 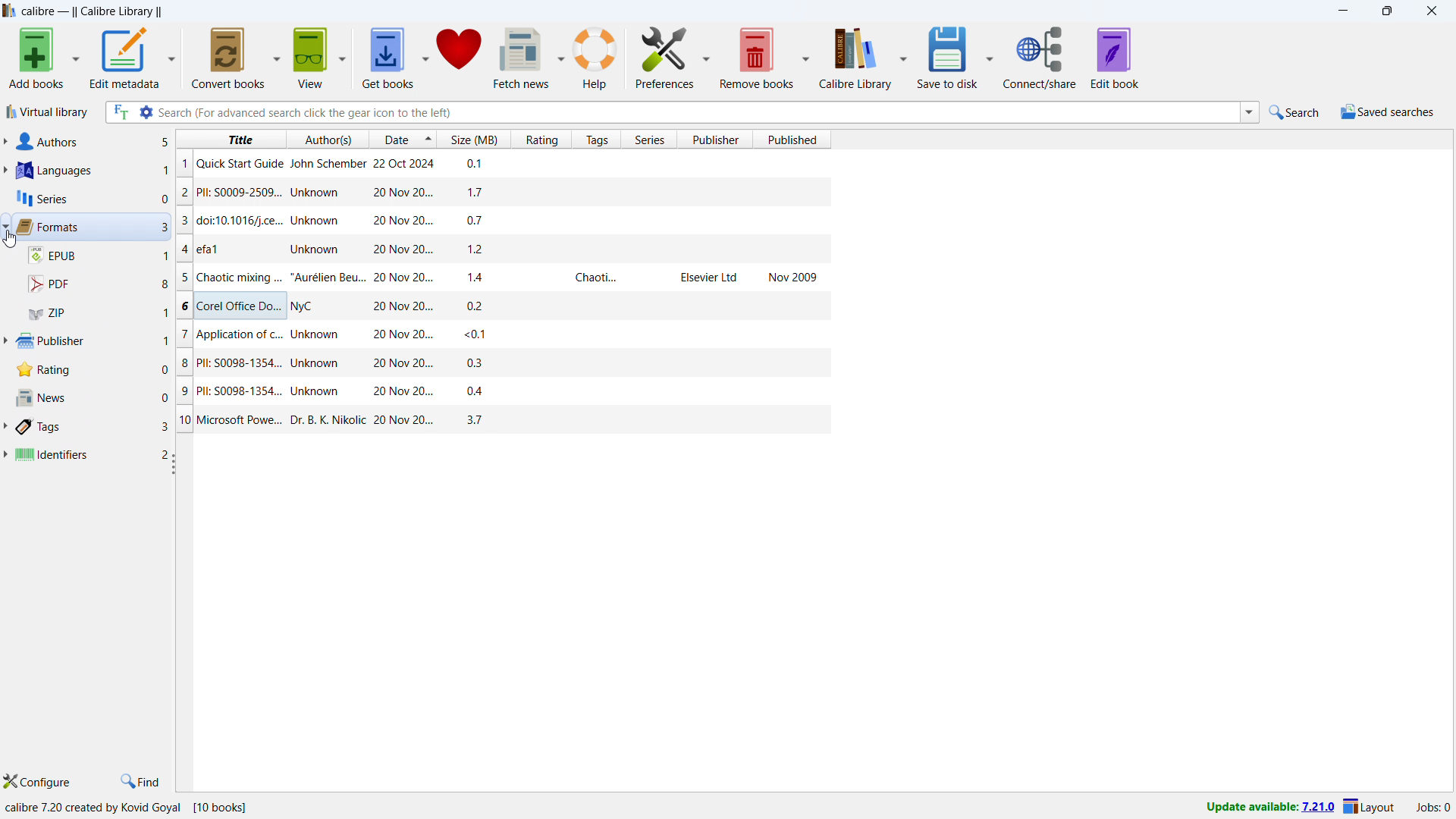 I want to click on one book entry, so click(x=501, y=366).